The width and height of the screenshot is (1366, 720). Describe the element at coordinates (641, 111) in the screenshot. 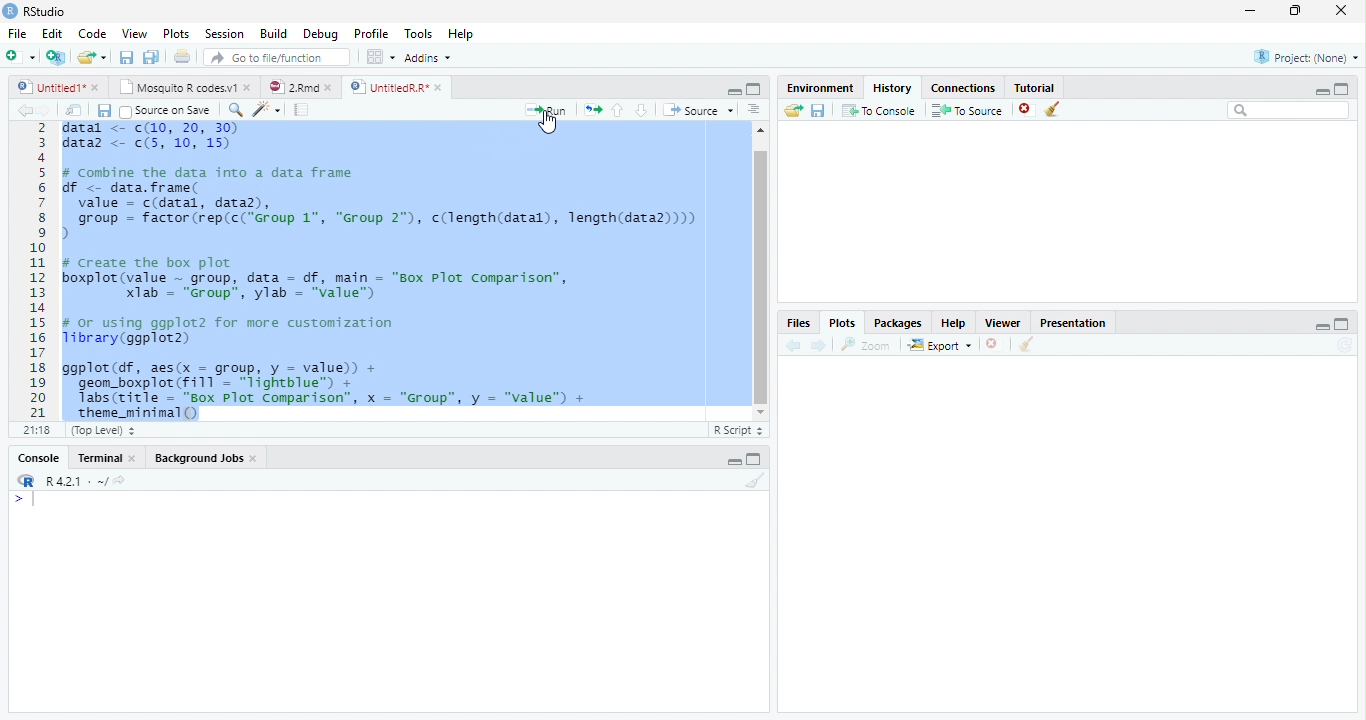

I see `Go to next section/chunk` at that location.